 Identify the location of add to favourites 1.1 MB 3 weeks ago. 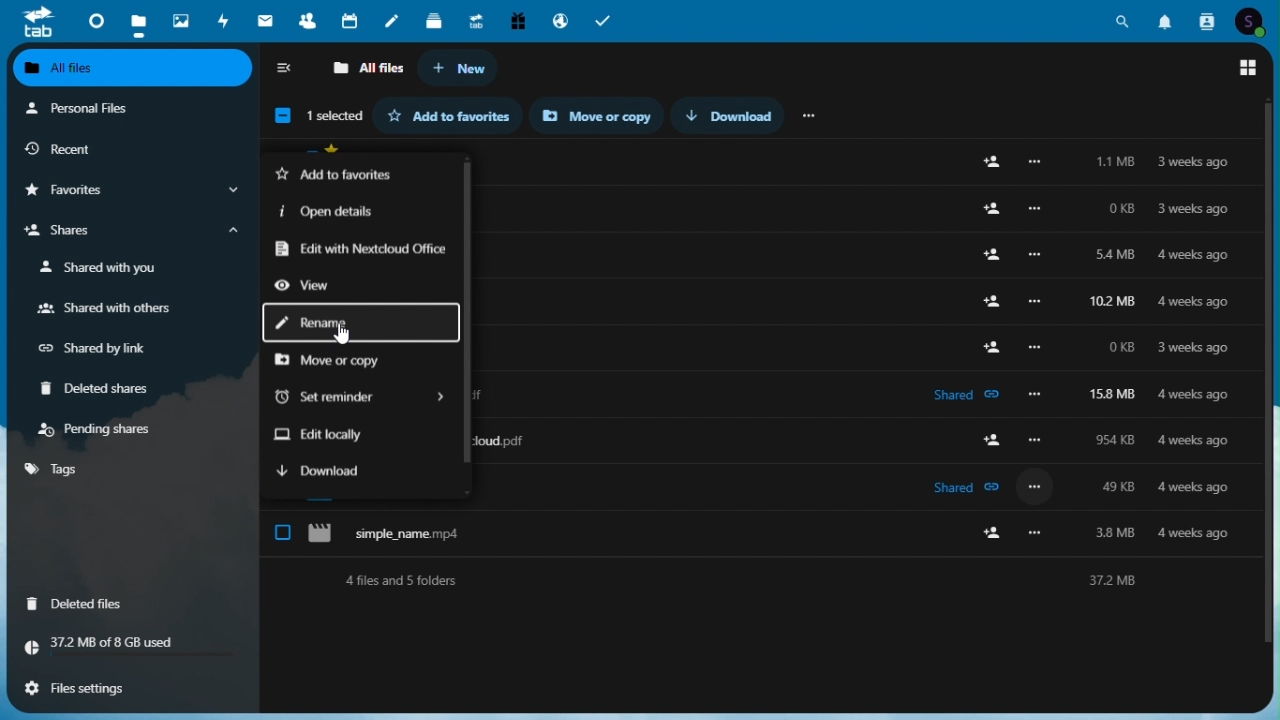
(757, 170).